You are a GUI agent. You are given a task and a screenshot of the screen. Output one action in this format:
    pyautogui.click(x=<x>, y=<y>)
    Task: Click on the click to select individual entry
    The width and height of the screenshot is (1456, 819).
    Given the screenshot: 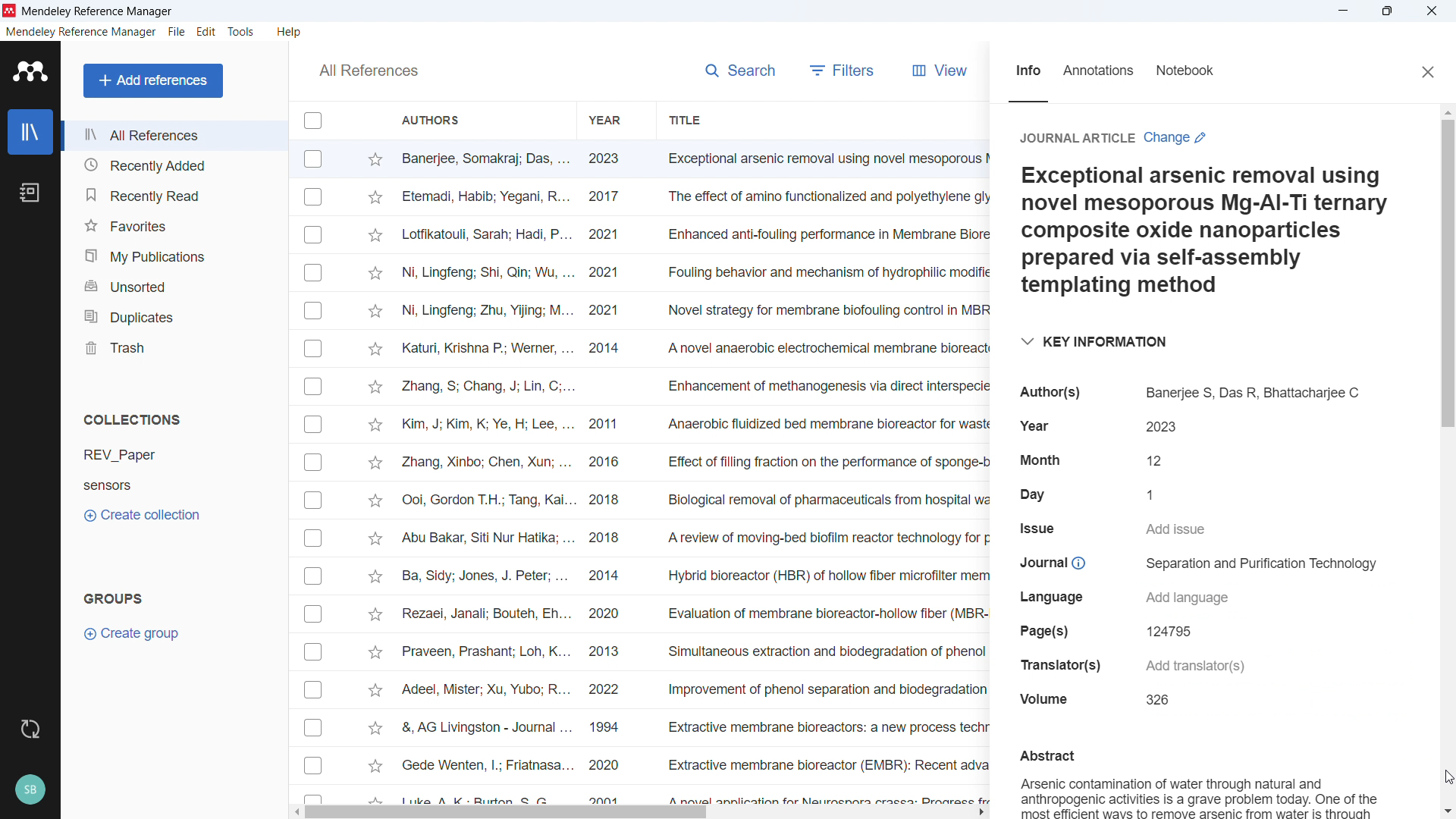 What is the action you would take?
    pyautogui.click(x=311, y=387)
    